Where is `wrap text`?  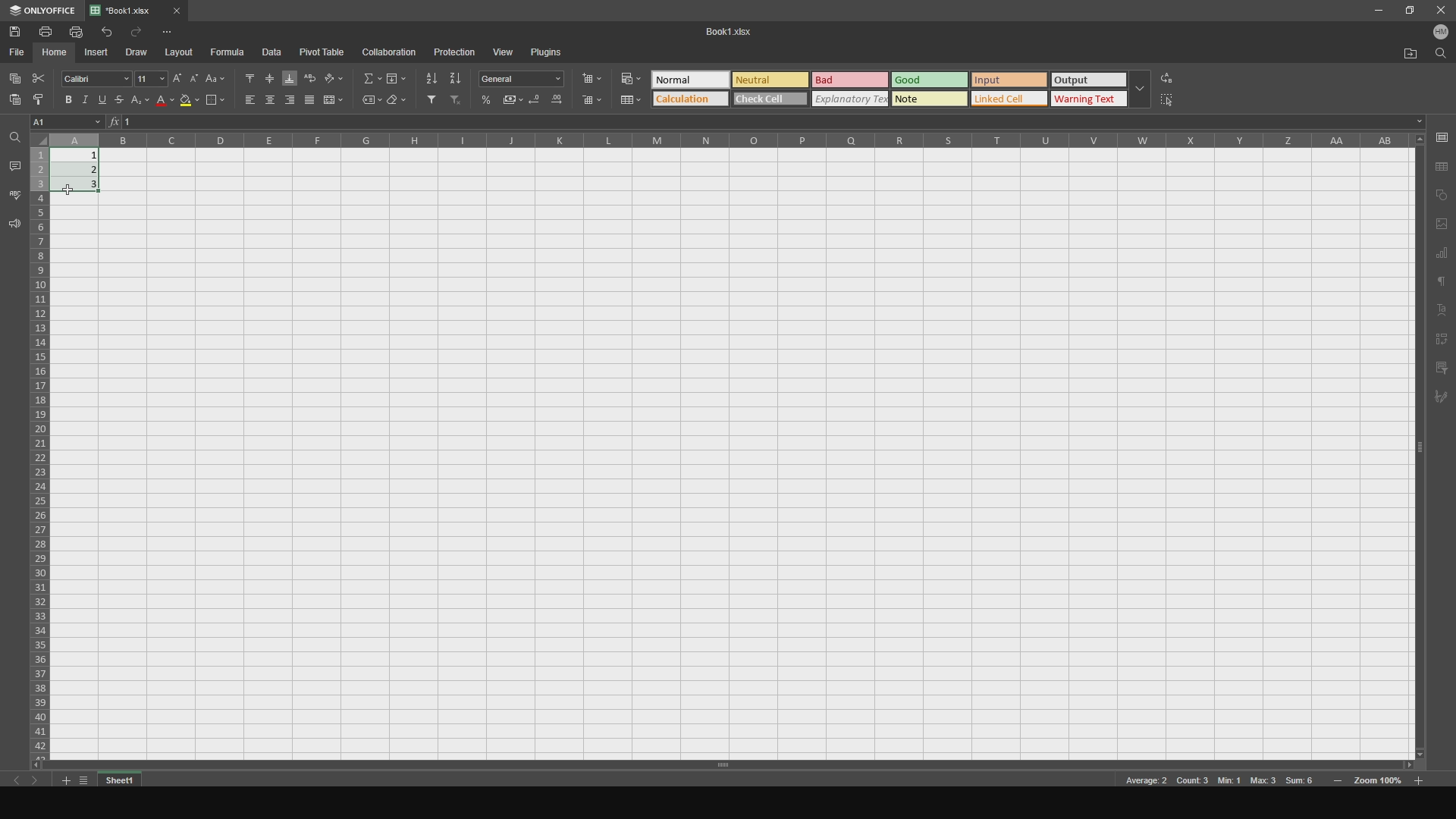 wrap text is located at coordinates (309, 76).